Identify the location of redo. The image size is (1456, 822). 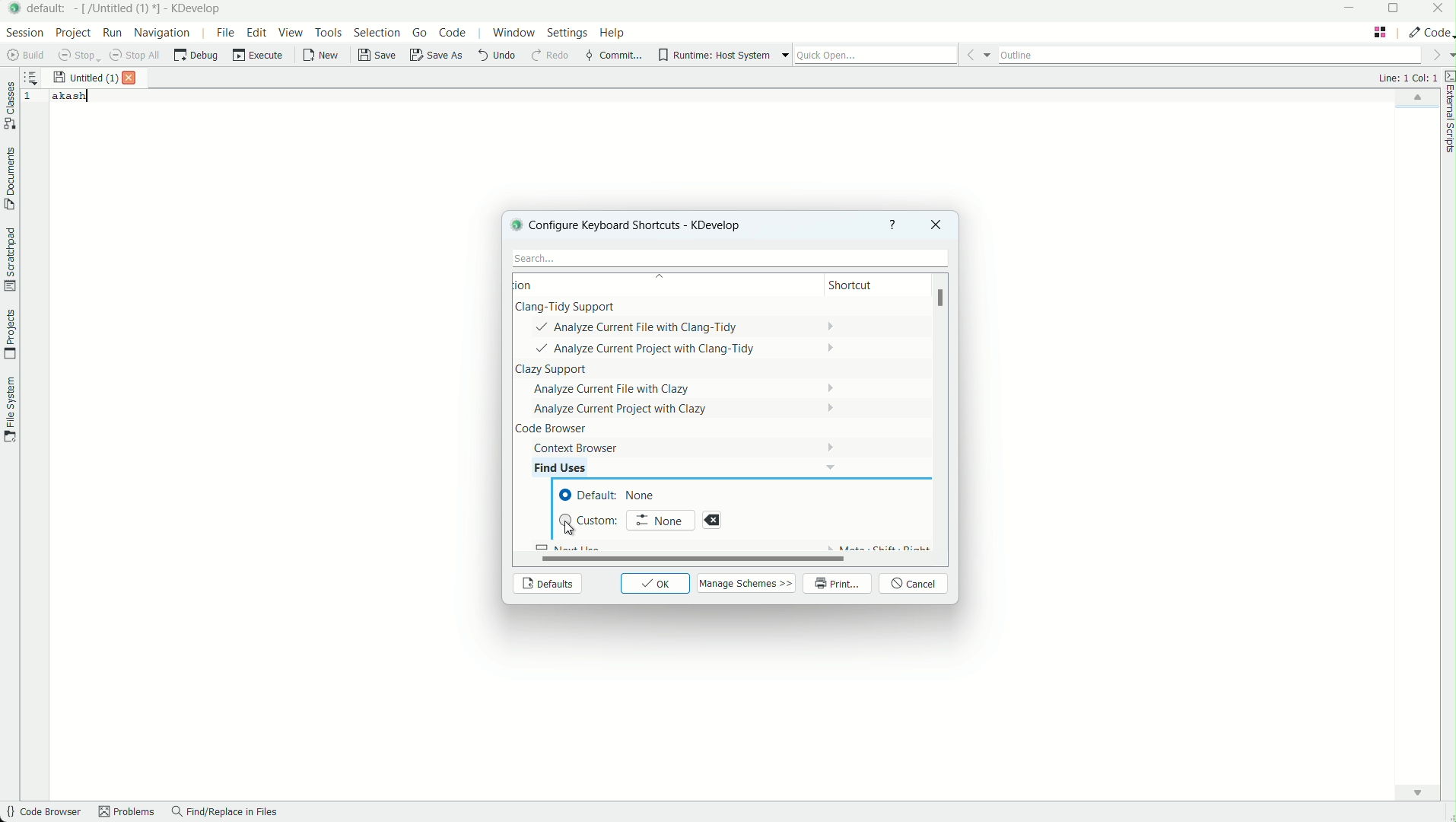
(548, 56).